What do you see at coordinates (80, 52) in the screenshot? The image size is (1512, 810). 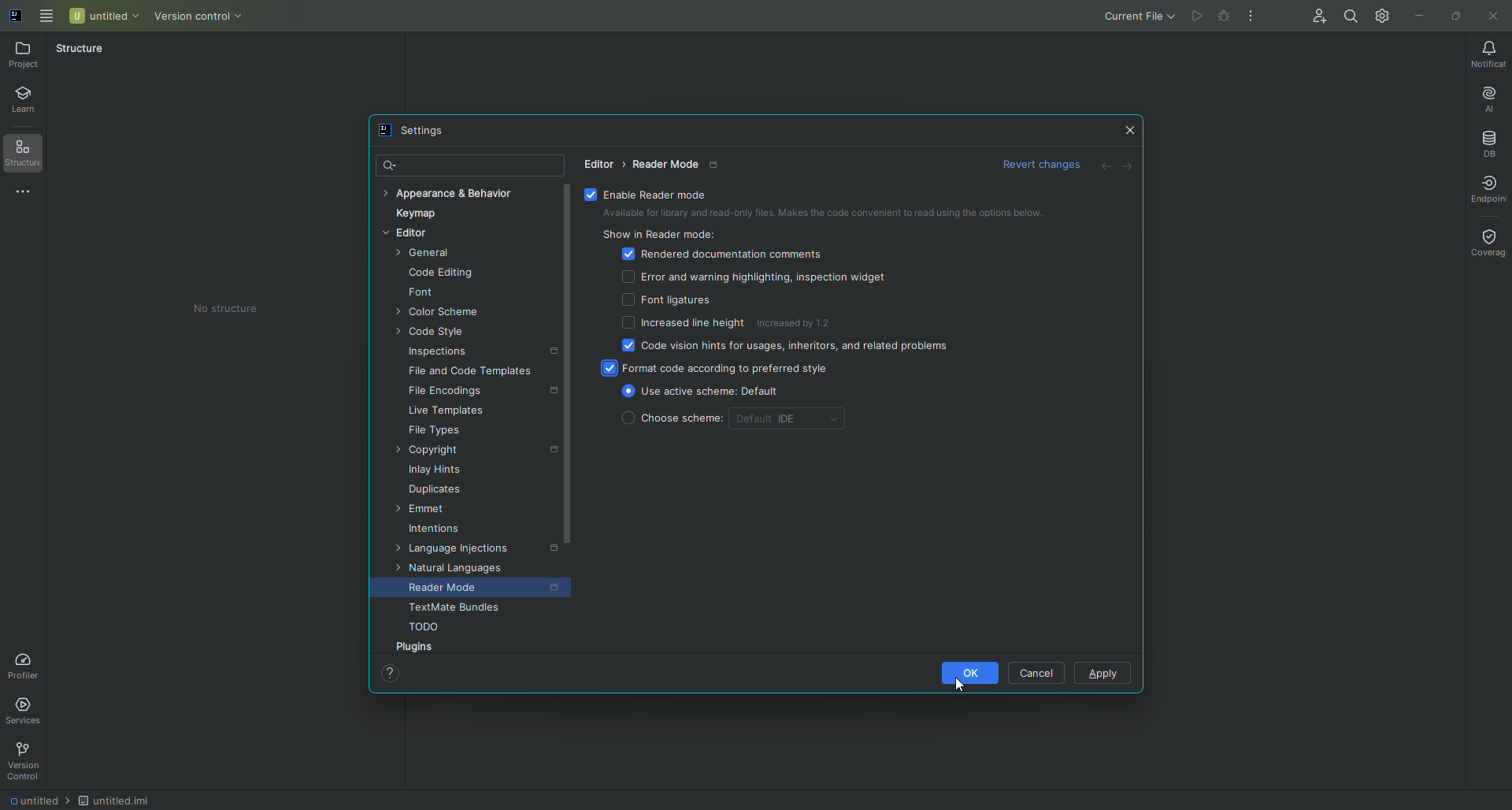 I see `Structure` at bounding box center [80, 52].